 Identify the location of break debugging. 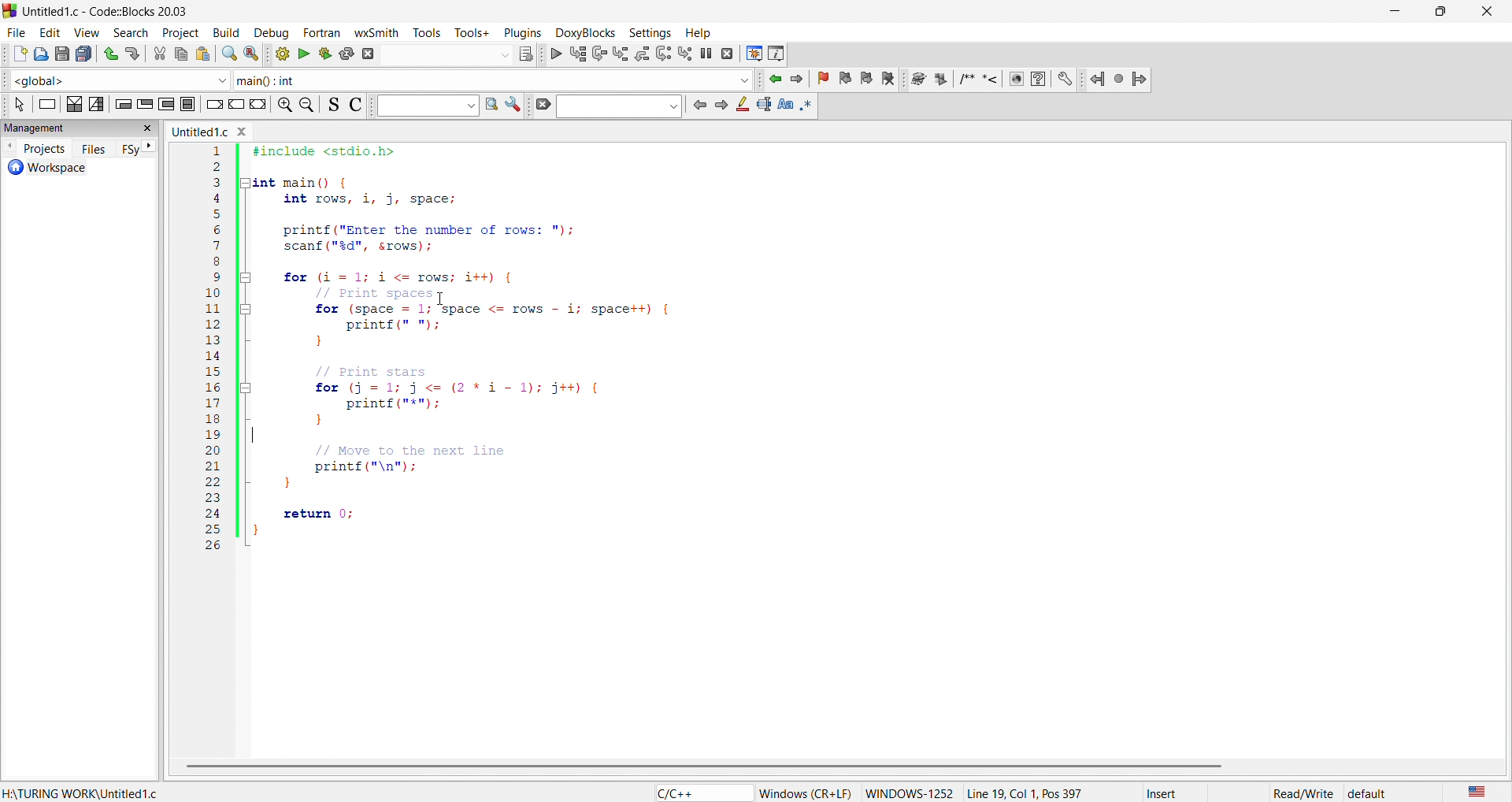
(707, 54).